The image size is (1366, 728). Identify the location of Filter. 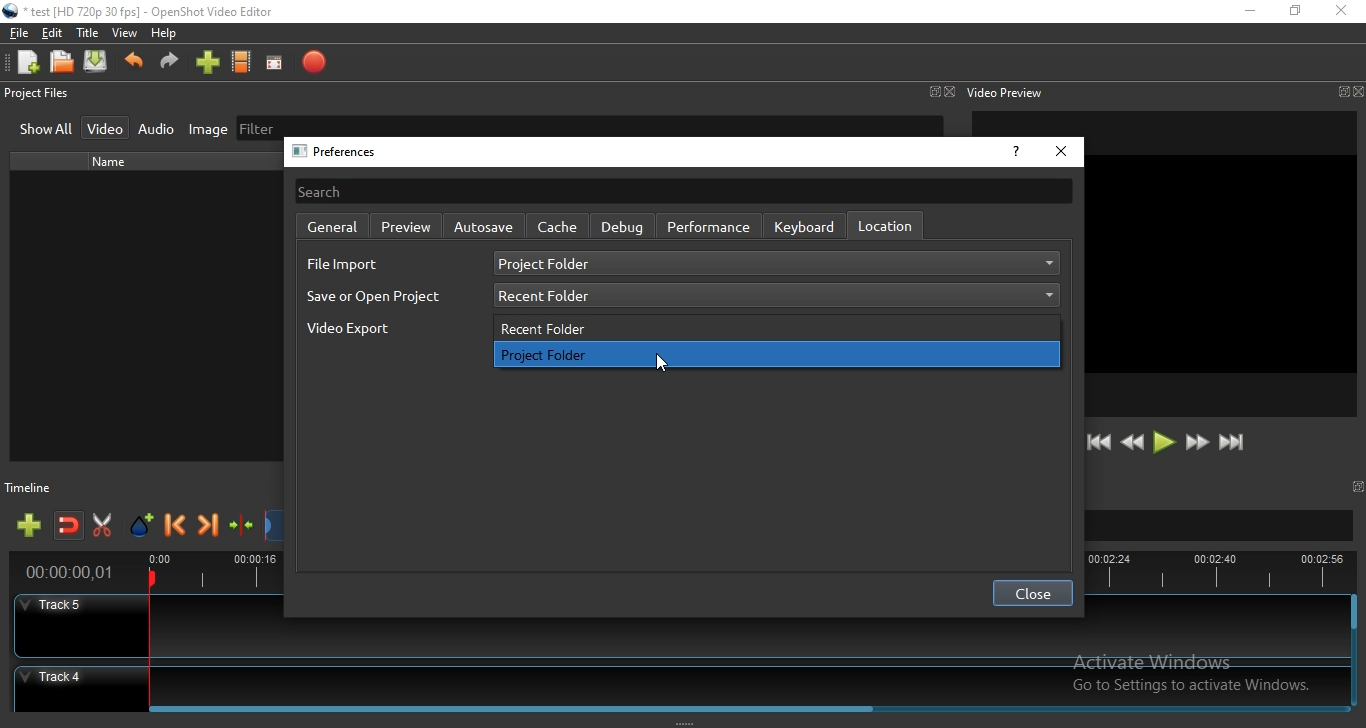
(589, 125).